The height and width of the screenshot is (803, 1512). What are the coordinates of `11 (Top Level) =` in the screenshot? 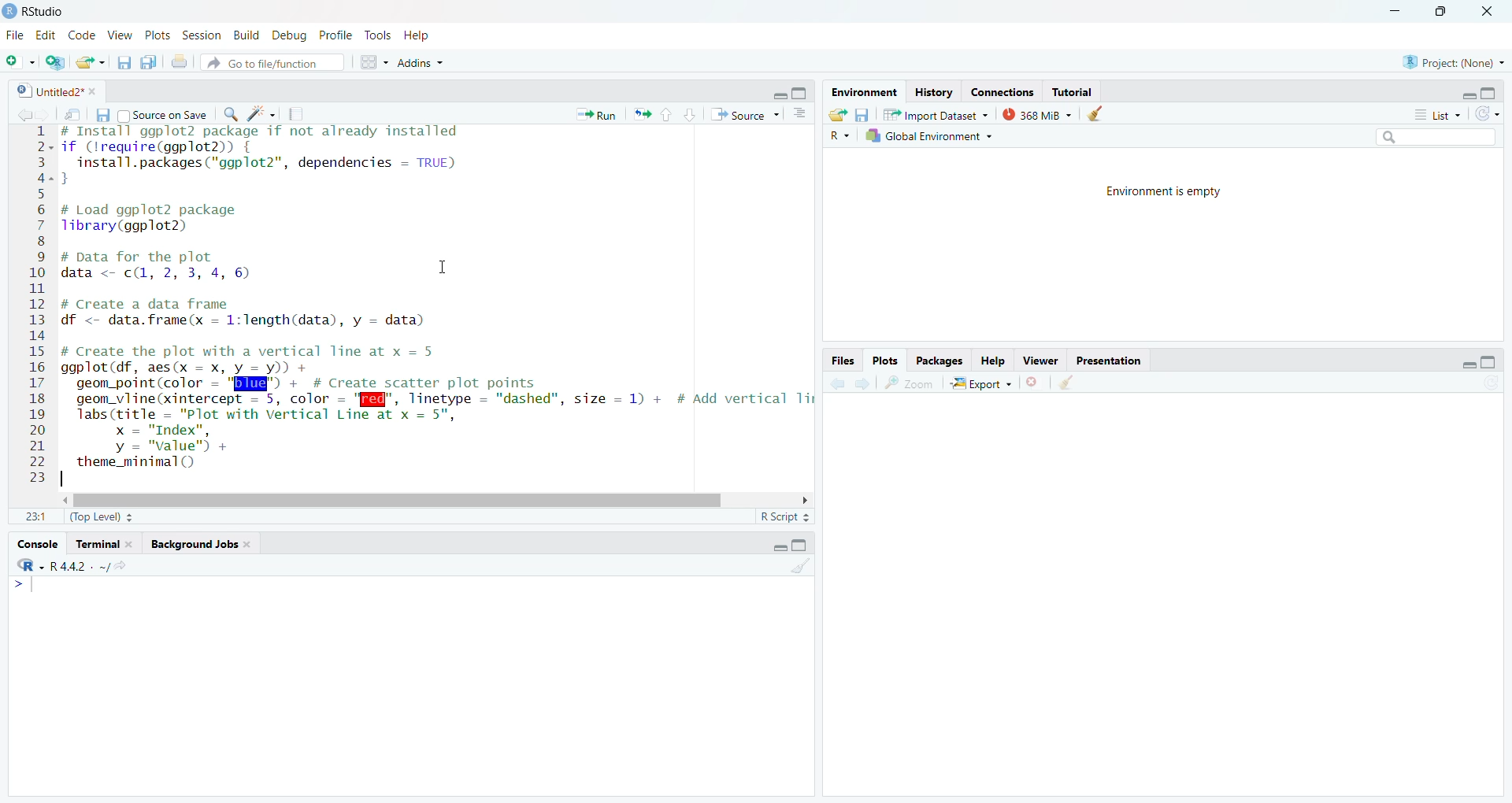 It's located at (80, 514).